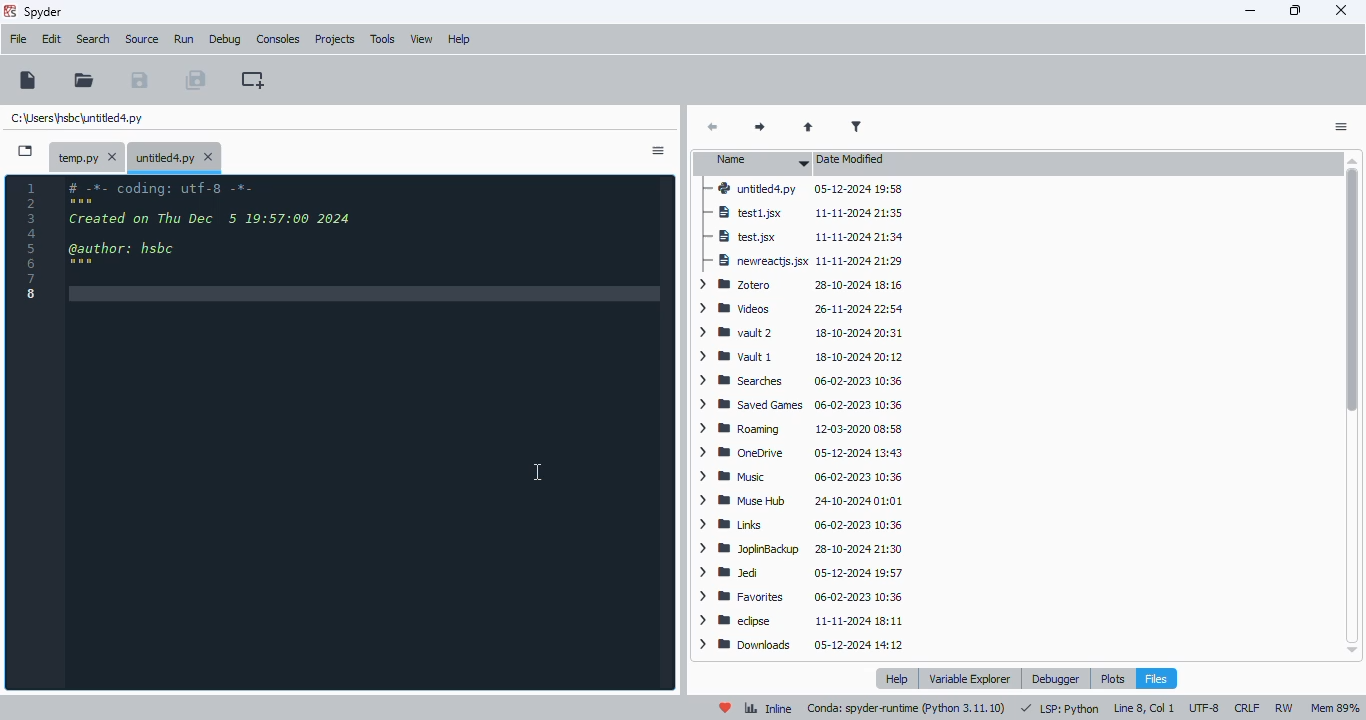 Image resolution: width=1366 pixels, height=720 pixels. What do you see at coordinates (226, 39) in the screenshot?
I see `debug` at bounding box center [226, 39].